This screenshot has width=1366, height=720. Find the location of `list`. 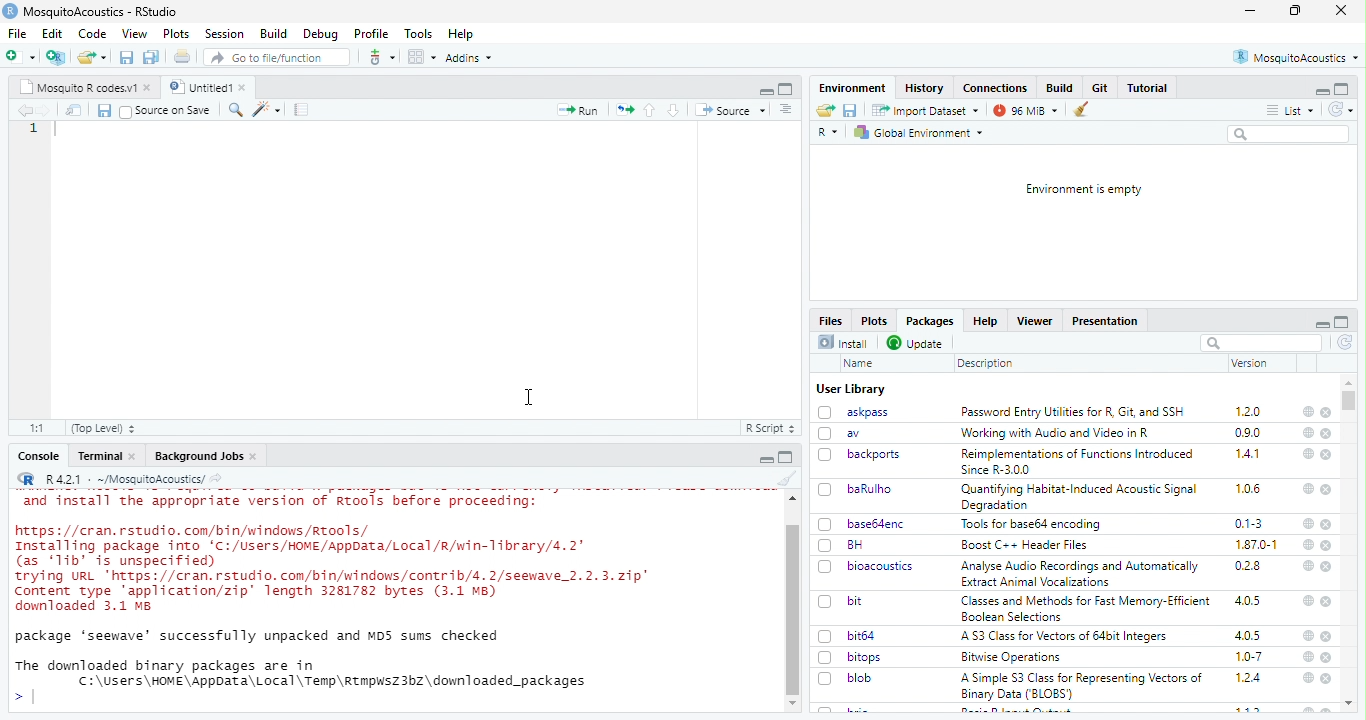

list is located at coordinates (1291, 111).